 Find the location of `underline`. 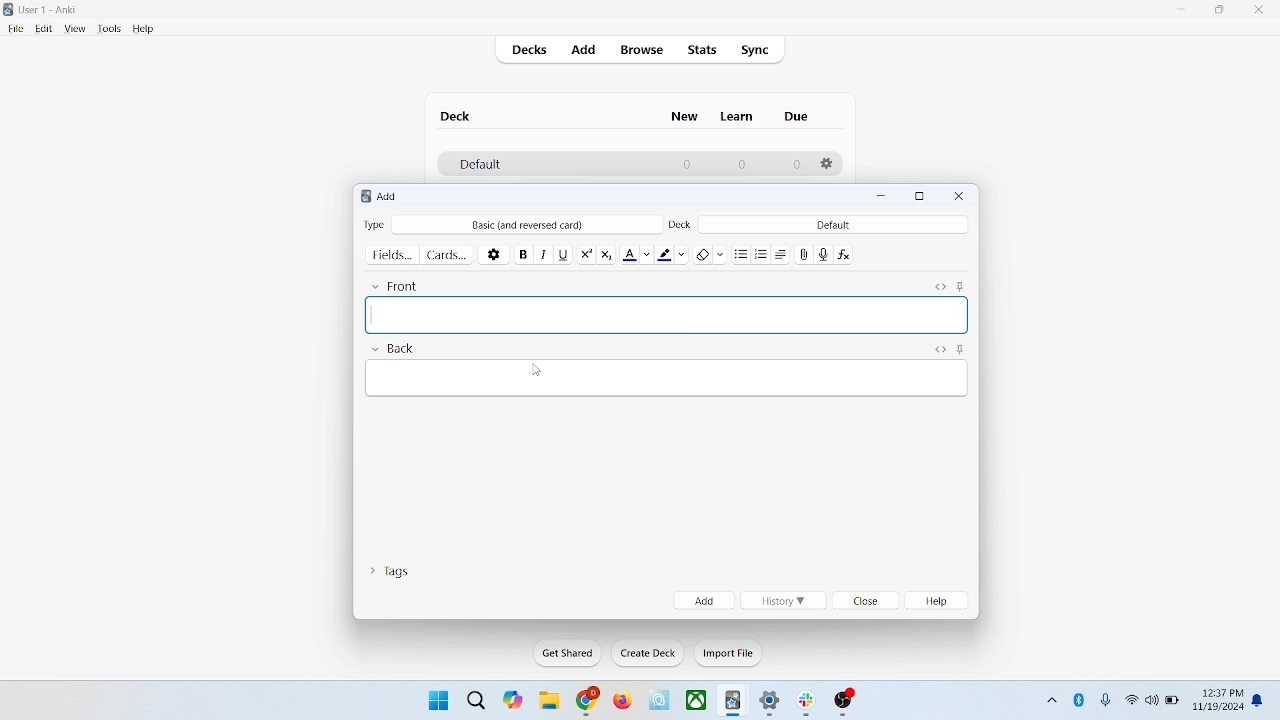

underline is located at coordinates (563, 253).